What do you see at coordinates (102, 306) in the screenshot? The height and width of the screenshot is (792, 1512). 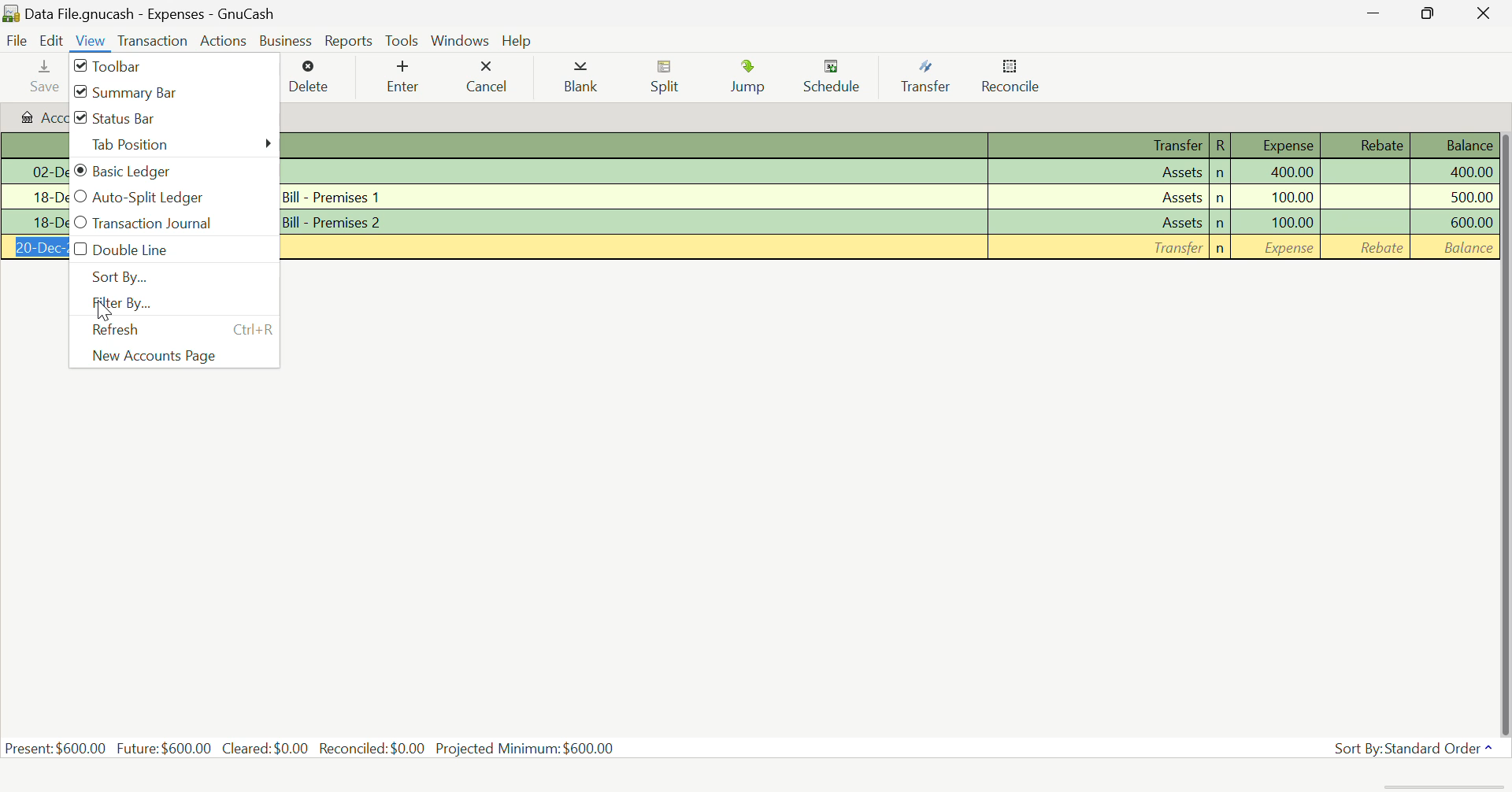 I see `Cursor Position` at bounding box center [102, 306].